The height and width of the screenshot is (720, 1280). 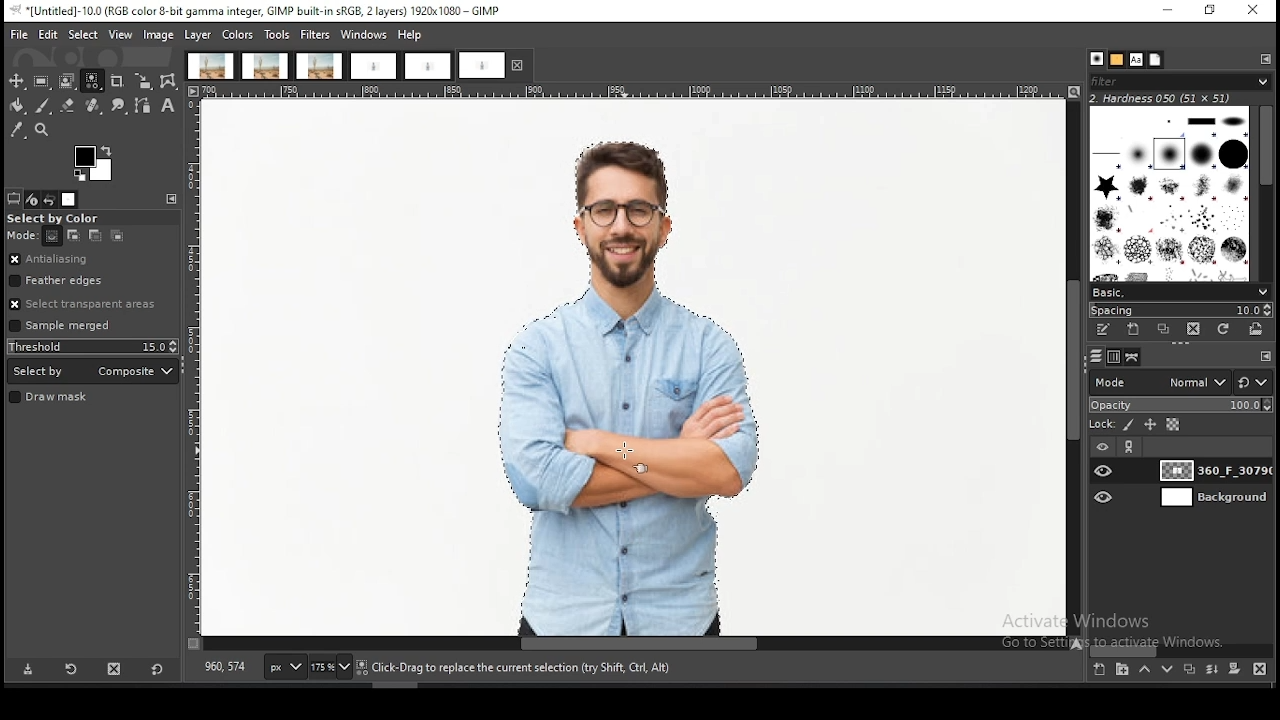 What do you see at coordinates (1187, 668) in the screenshot?
I see `duplicate layer` at bounding box center [1187, 668].